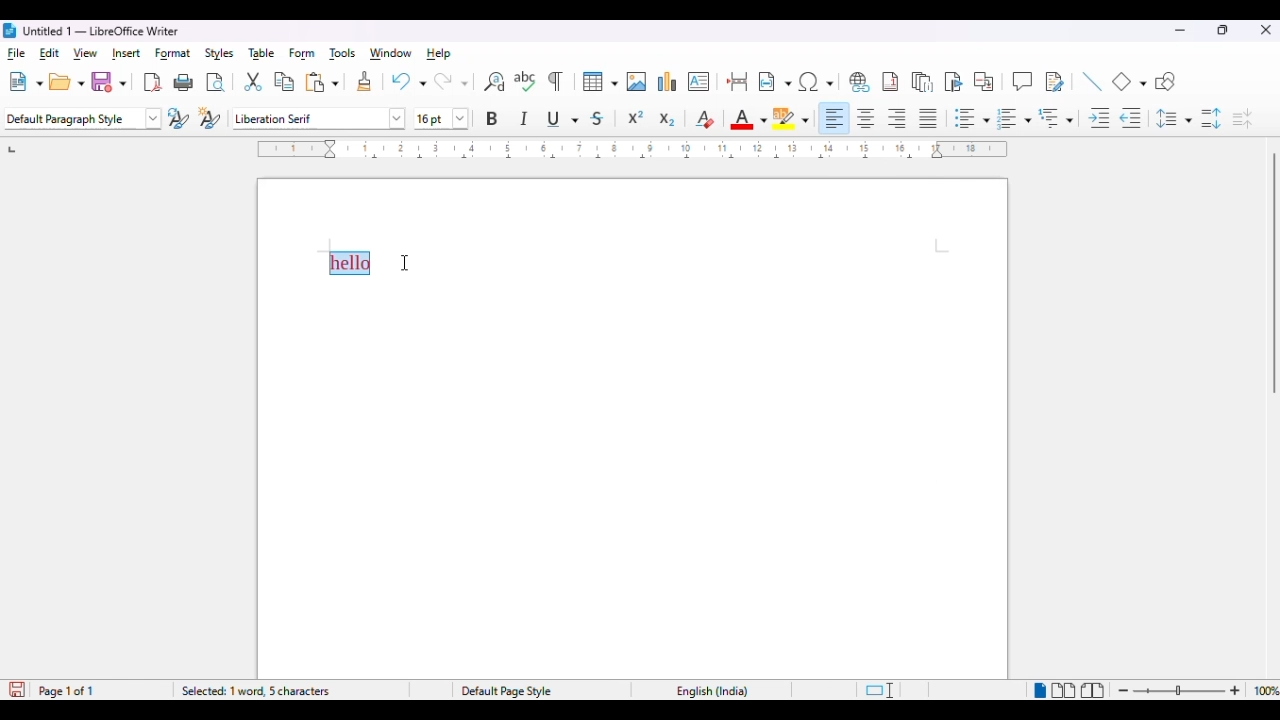 This screenshot has width=1280, height=720. I want to click on word and character count, so click(286, 691).